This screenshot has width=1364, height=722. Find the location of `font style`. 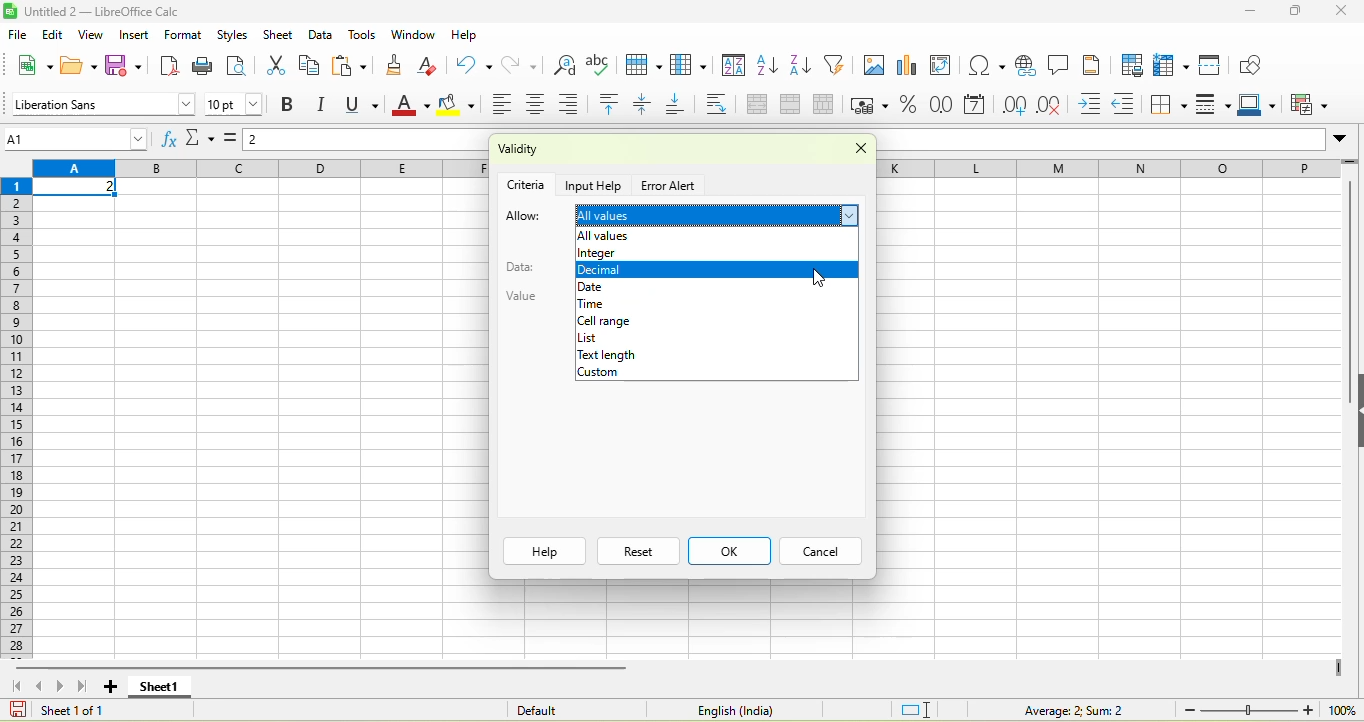

font style is located at coordinates (101, 103).